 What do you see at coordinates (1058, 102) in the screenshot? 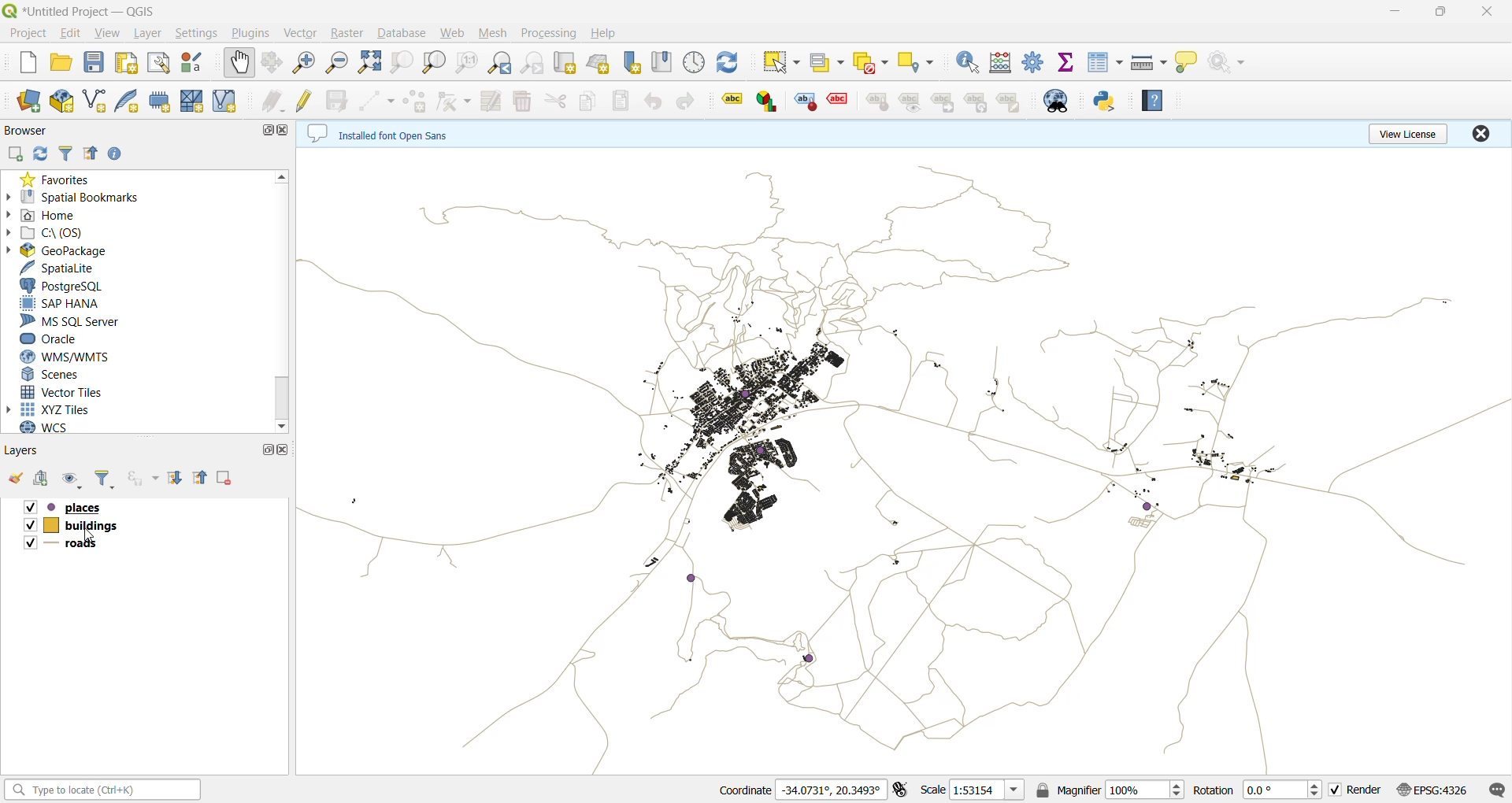
I see `metasearch` at bounding box center [1058, 102].